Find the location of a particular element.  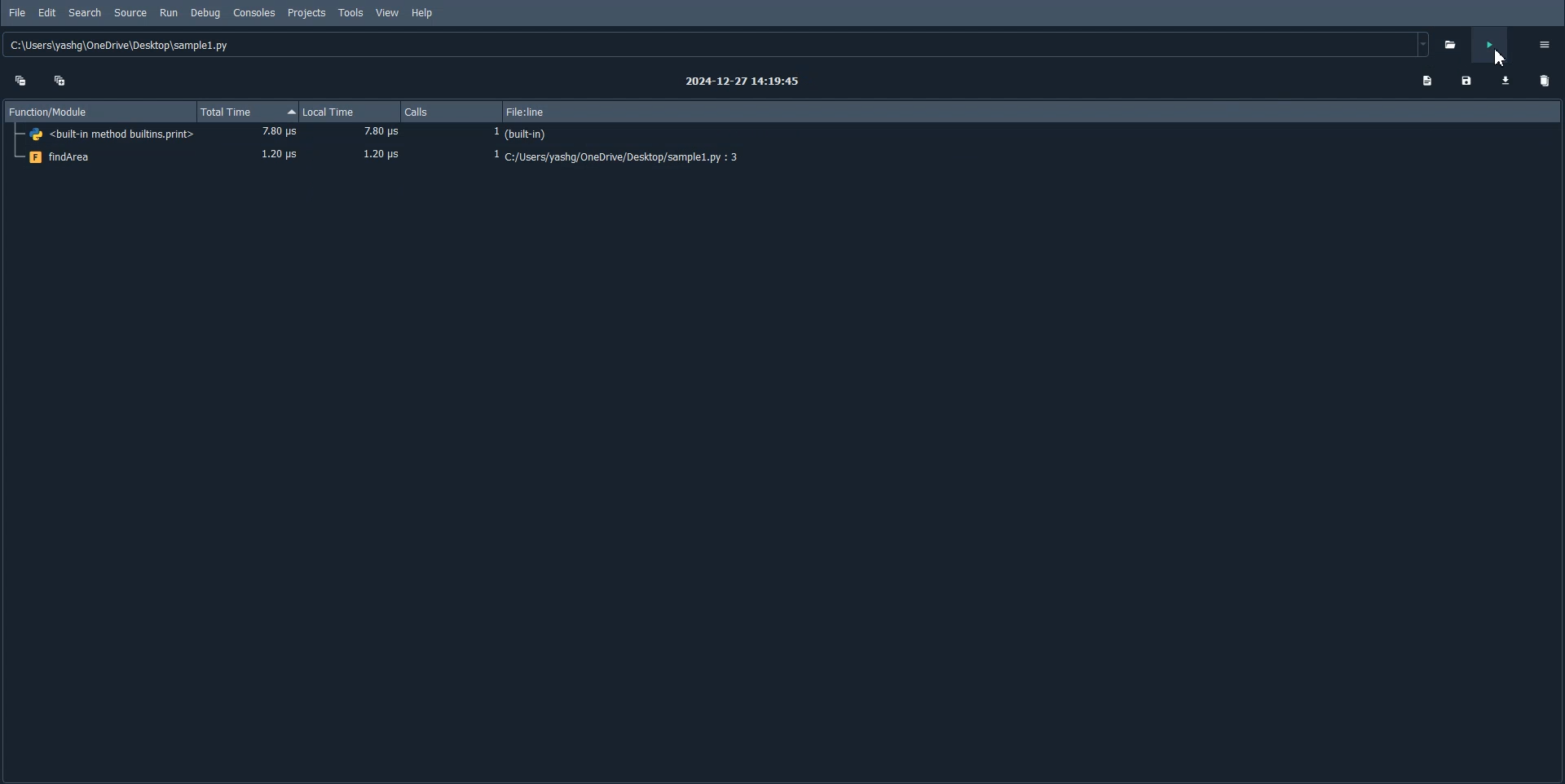

Clear comparison is located at coordinates (1545, 81).